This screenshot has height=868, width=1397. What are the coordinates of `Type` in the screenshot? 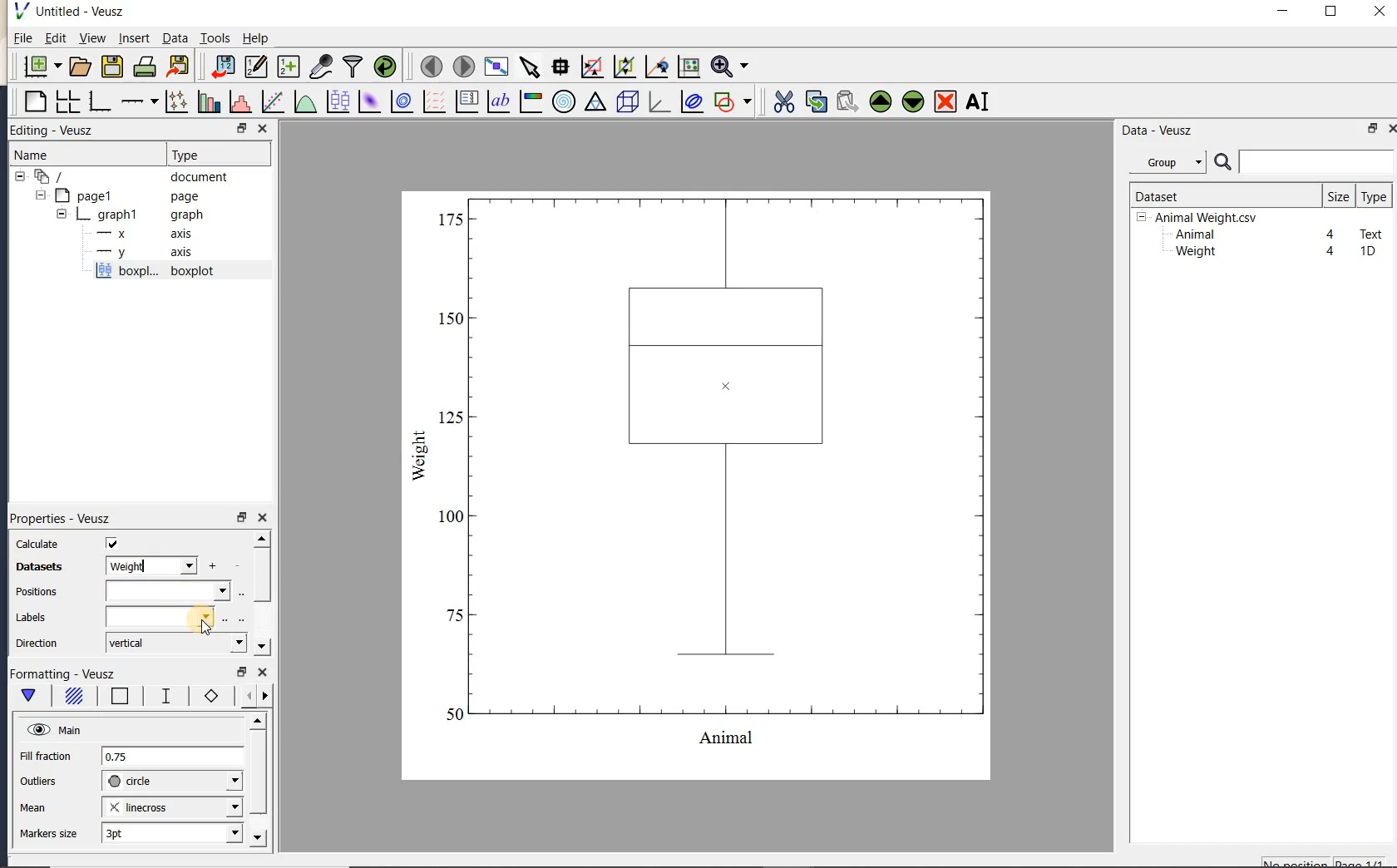 It's located at (215, 153).